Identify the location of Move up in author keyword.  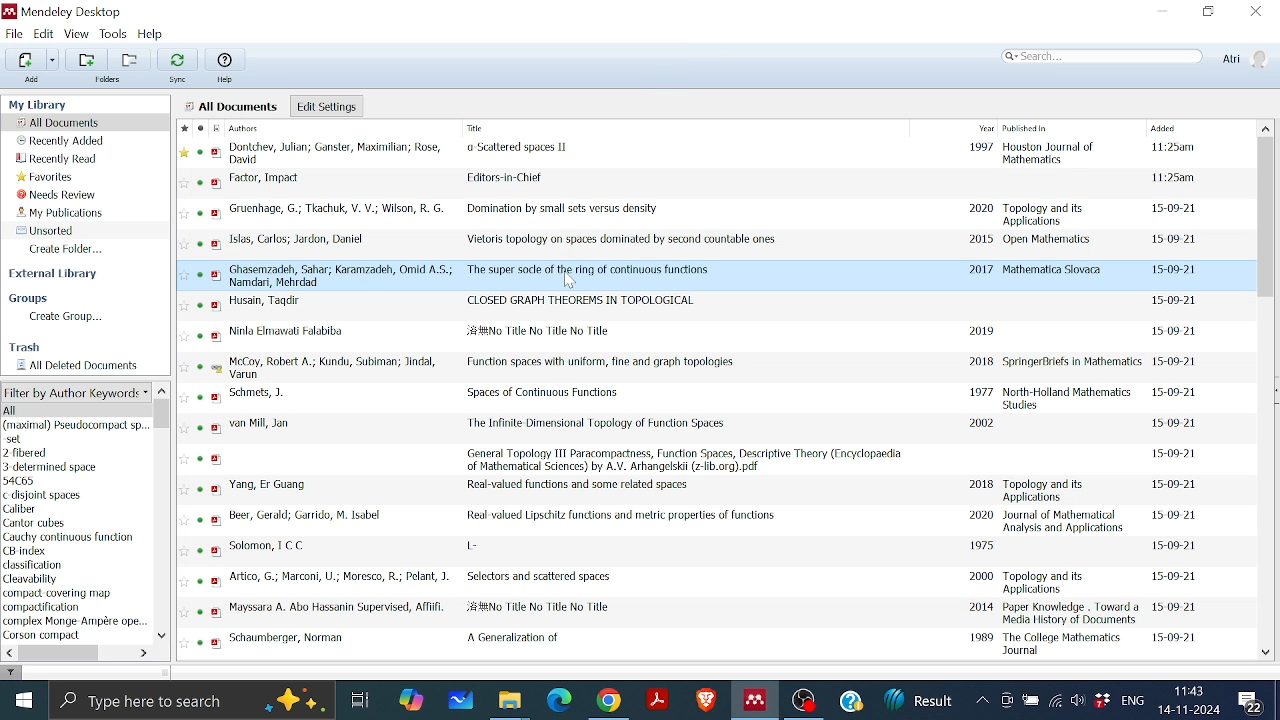
(163, 390).